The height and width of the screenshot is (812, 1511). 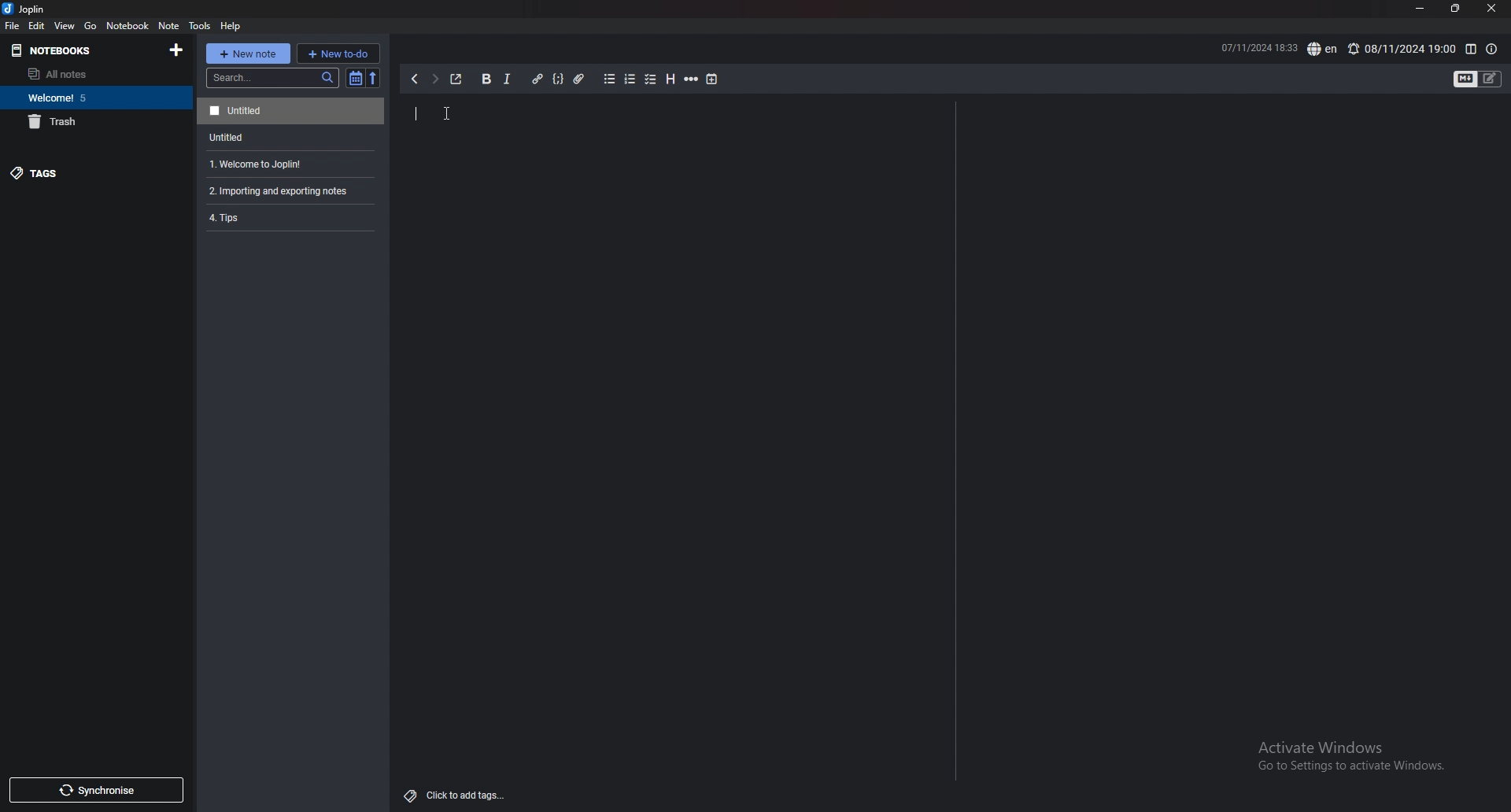 What do you see at coordinates (288, 136) in the screenshot?
I see `Untitled` at bounding box center [288, 136].